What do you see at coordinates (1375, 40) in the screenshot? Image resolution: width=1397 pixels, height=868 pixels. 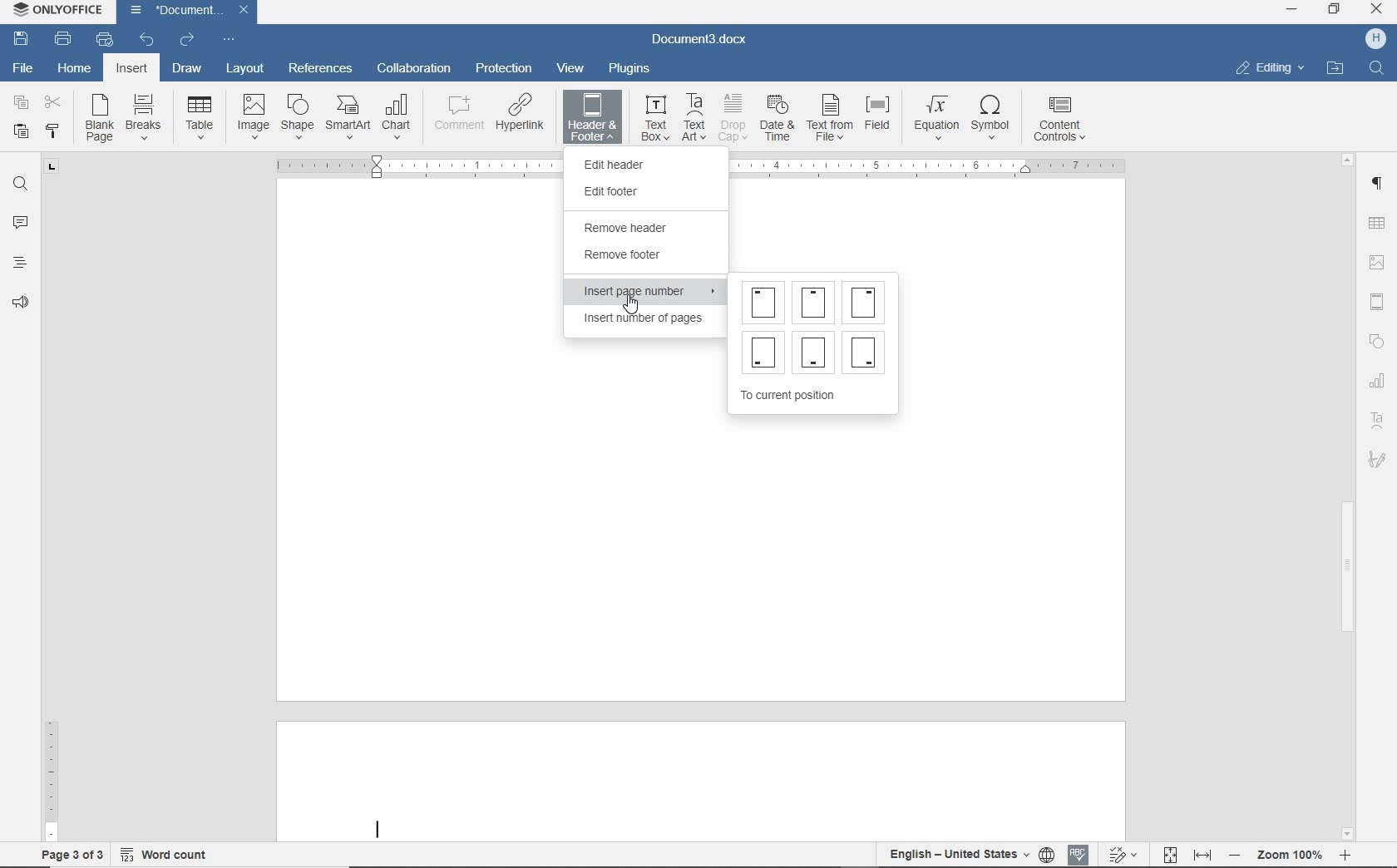 I see `H` at bounding box center [1375, 40].